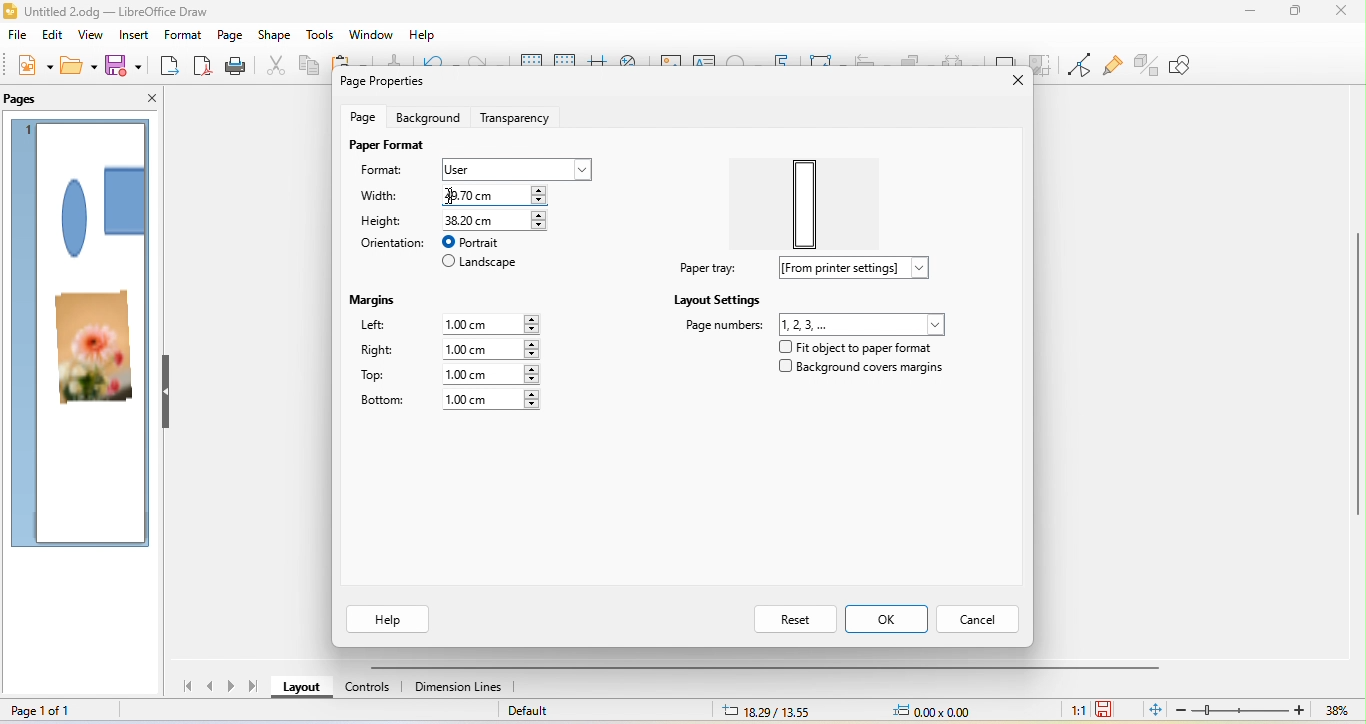 The image size is (1366, 724). What do you see at coordinates (390, 618) in the screenshot?
I see `help` at bounding box center [390, 618].